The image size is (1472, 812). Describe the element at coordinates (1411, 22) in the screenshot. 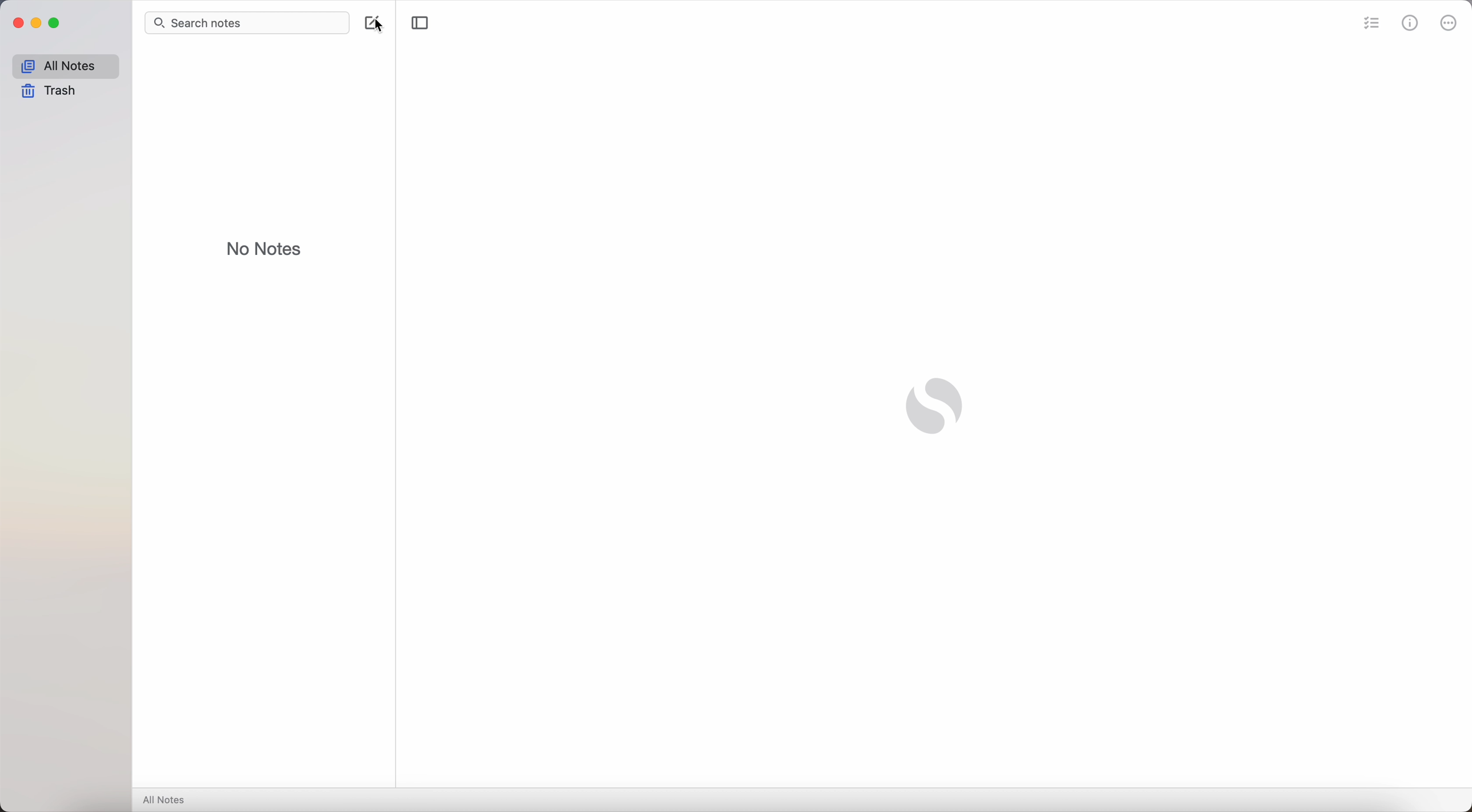

I see `metrics` at that location.